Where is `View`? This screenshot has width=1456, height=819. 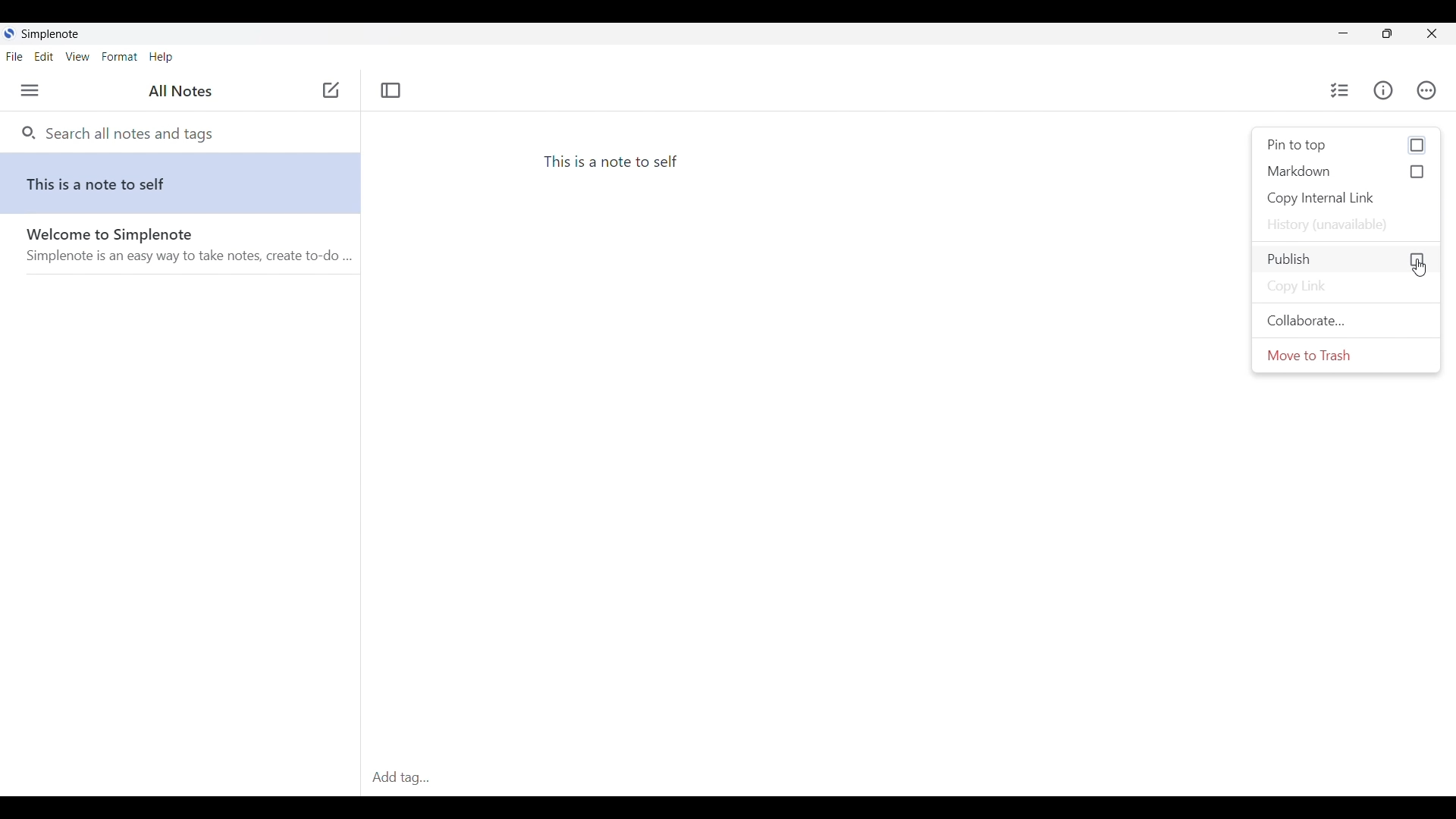
View is located at coordinates (77, 57).